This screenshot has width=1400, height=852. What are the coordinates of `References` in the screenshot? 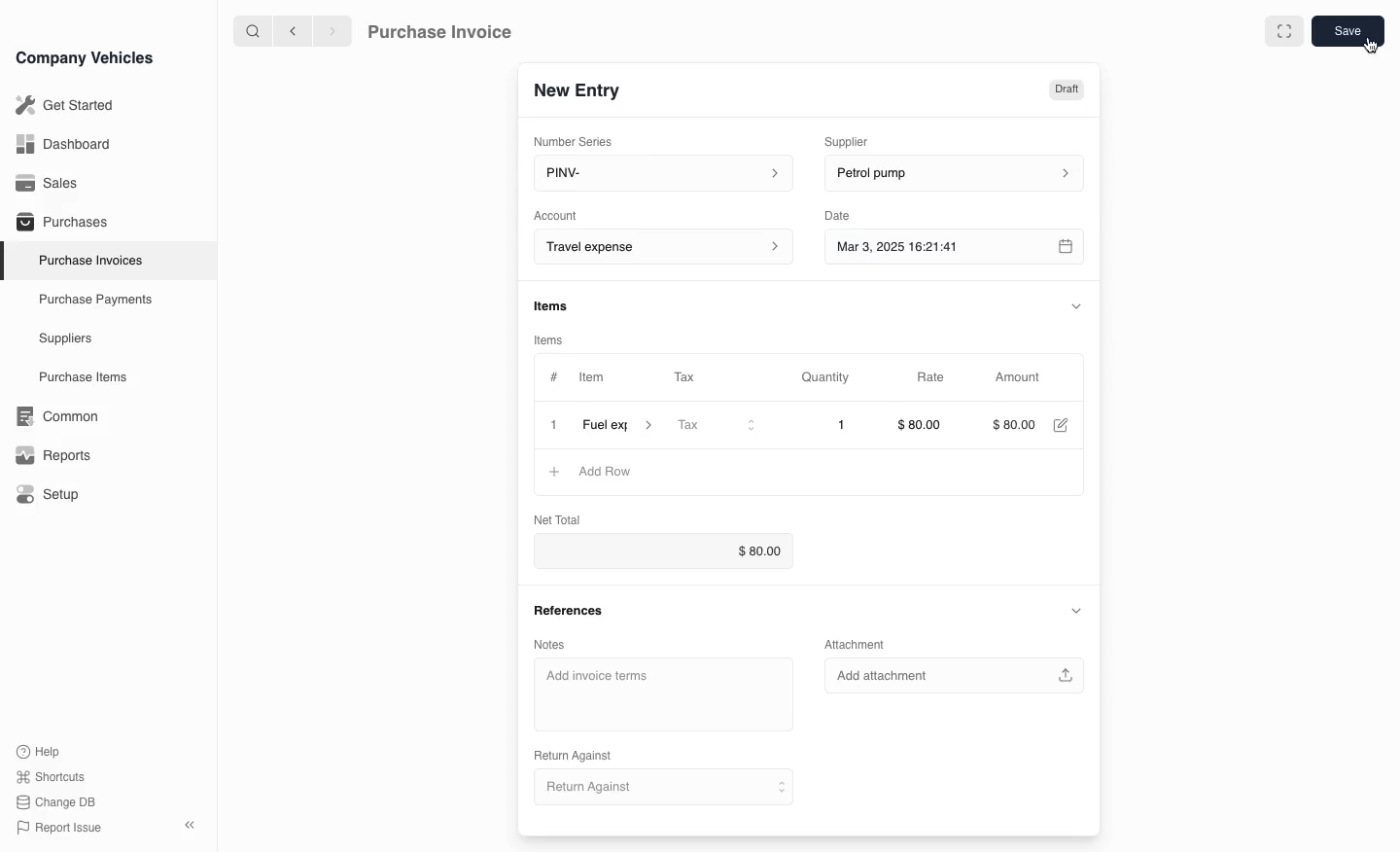 It's located at (571, 610).